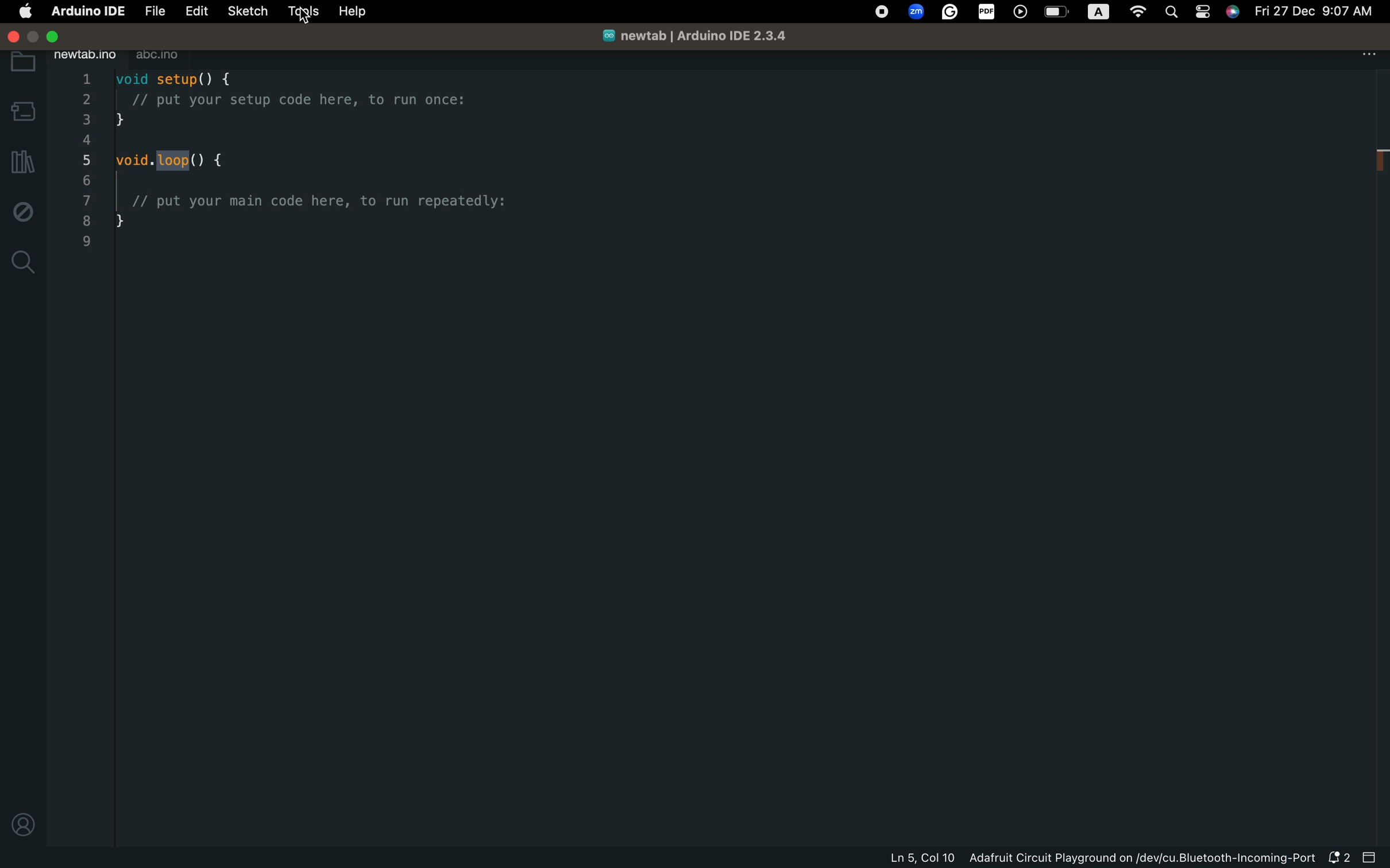  I want to click on Fri 27 Dec 9:07 AM, so click(1312, 10).